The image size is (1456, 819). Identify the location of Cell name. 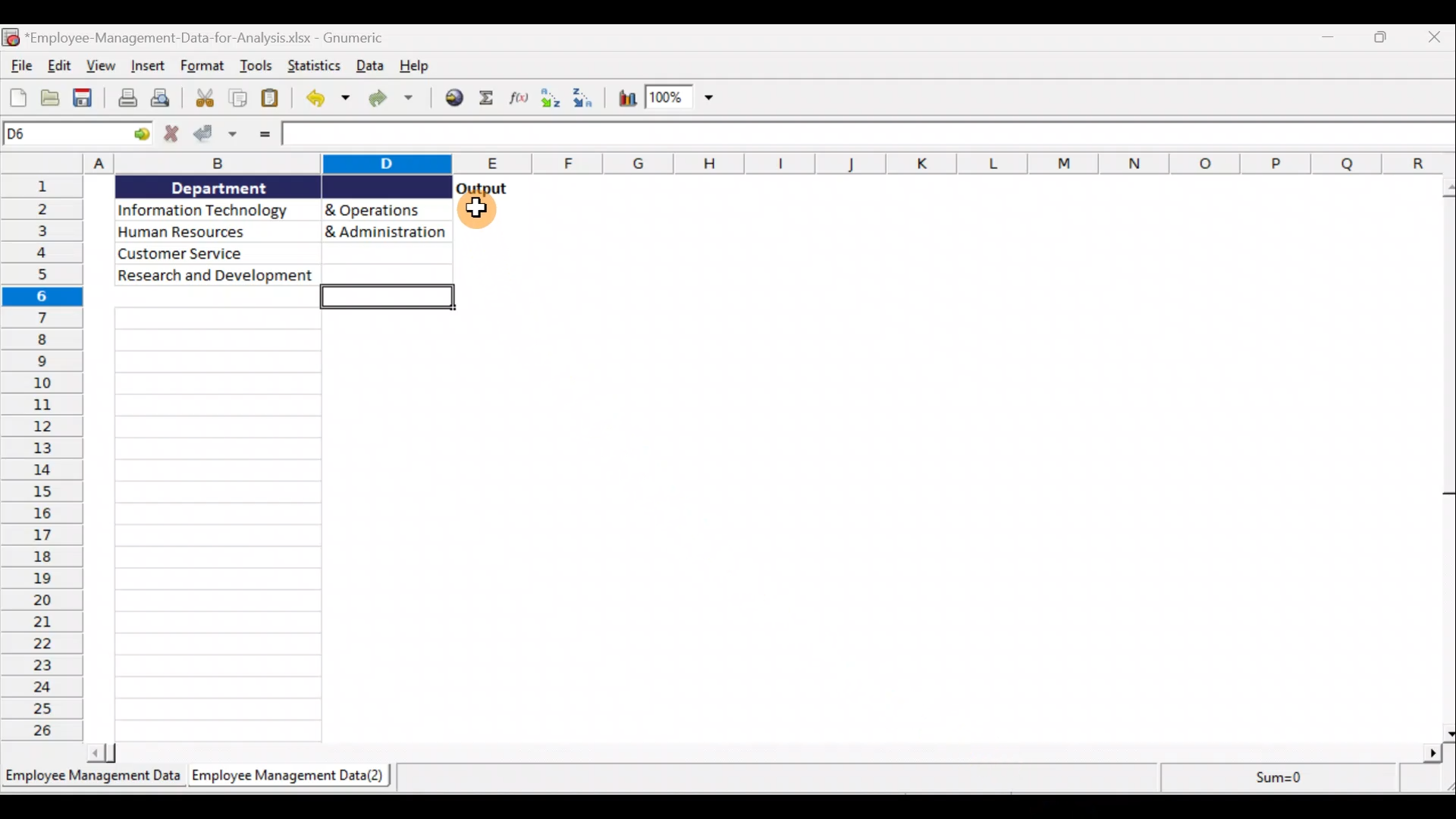
(77, 133).